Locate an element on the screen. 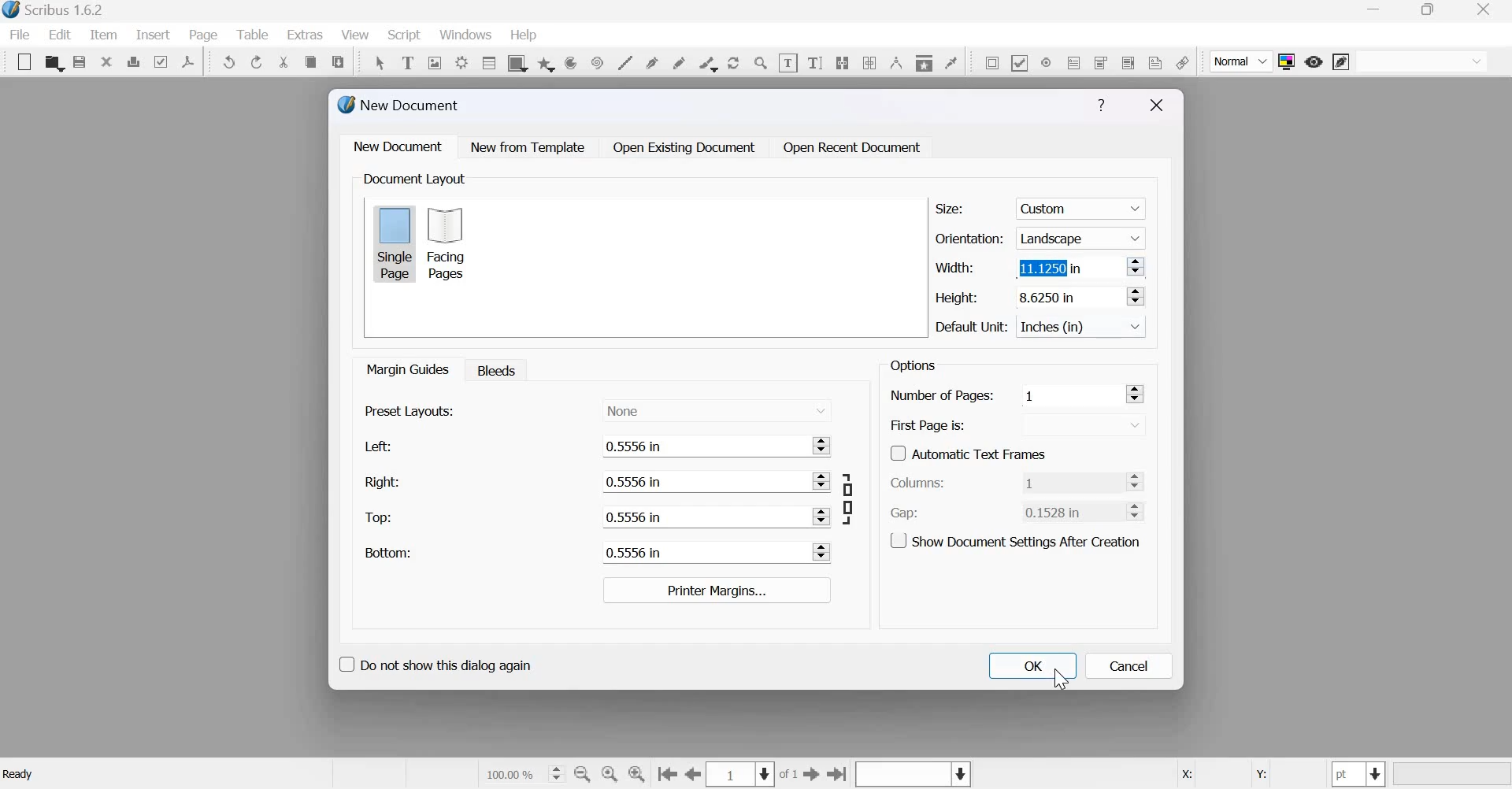 Image resolution: width=1512 pixels, height=789 pixels. Number of Pages: is located at coordinates (942, 397).